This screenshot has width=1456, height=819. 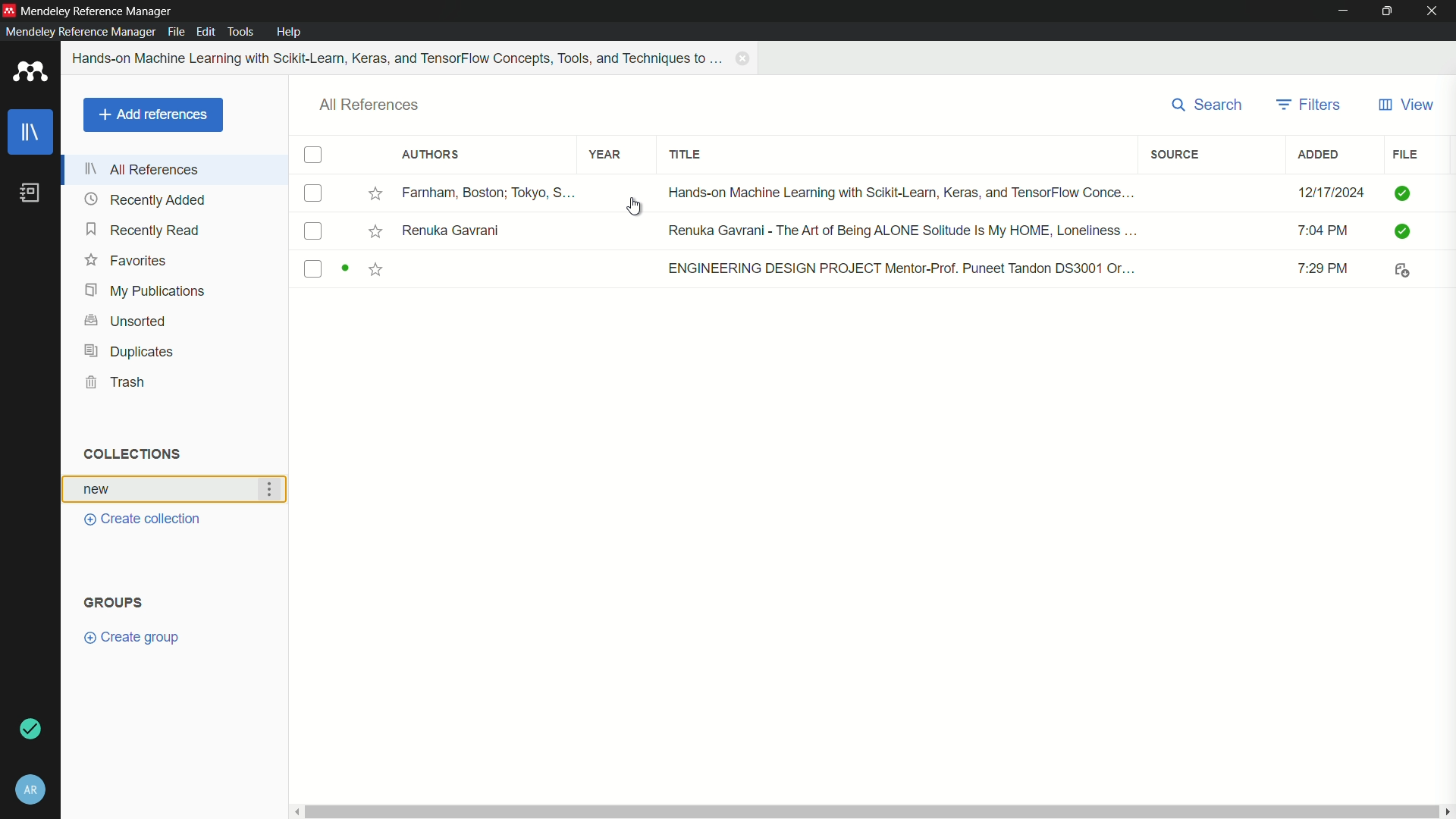 What do you see at coordinates (98, 490) in the screenshot?
I see `collection name` at bounding box center [98, 490].